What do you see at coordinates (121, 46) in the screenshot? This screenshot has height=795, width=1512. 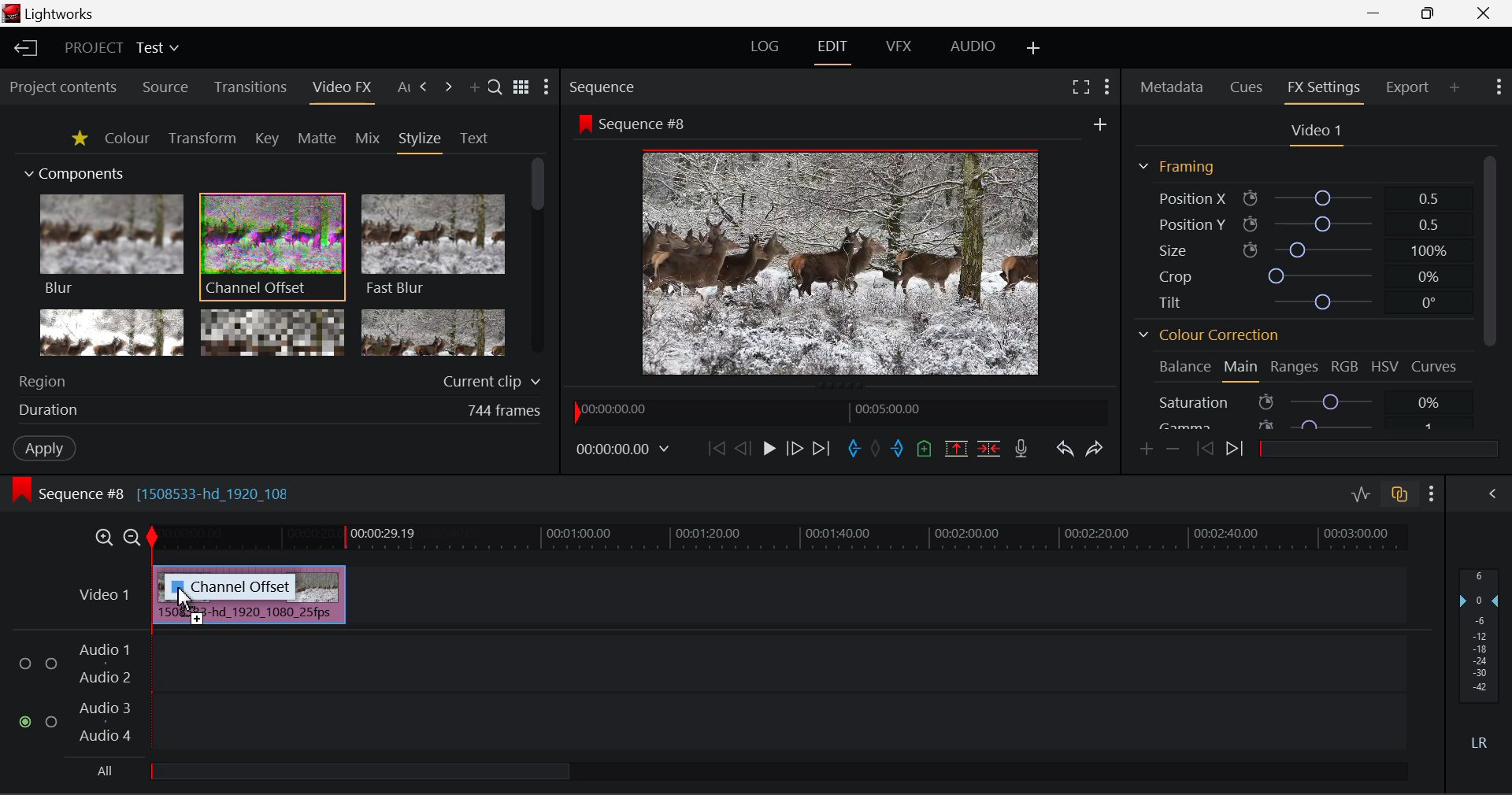 I see `Project Title` at bounding box center [121, 46].